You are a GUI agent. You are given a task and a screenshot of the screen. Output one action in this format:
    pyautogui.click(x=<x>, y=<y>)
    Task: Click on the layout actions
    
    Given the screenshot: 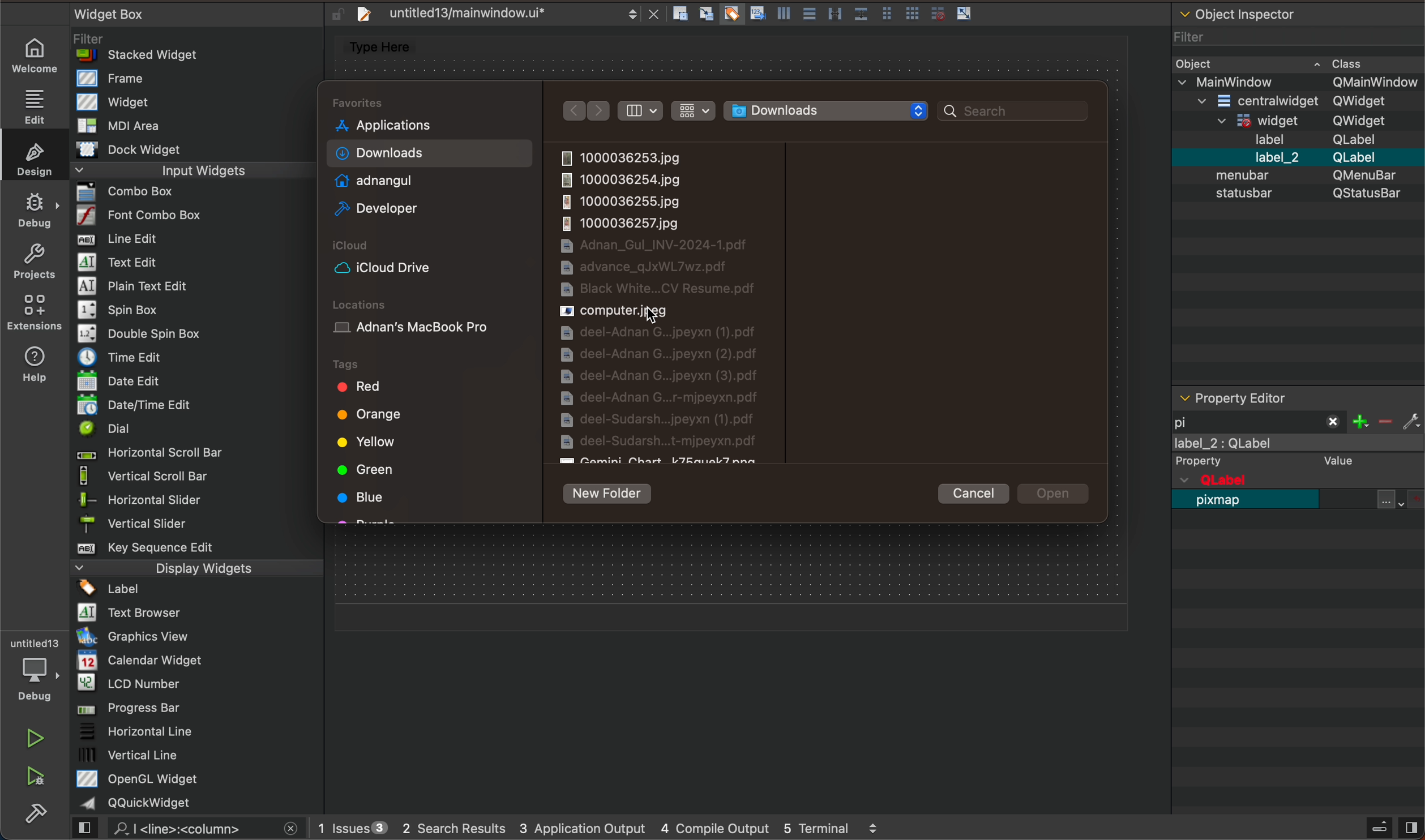 What is the action you would take?
    pyautogui.click(x=828, y=16)
    